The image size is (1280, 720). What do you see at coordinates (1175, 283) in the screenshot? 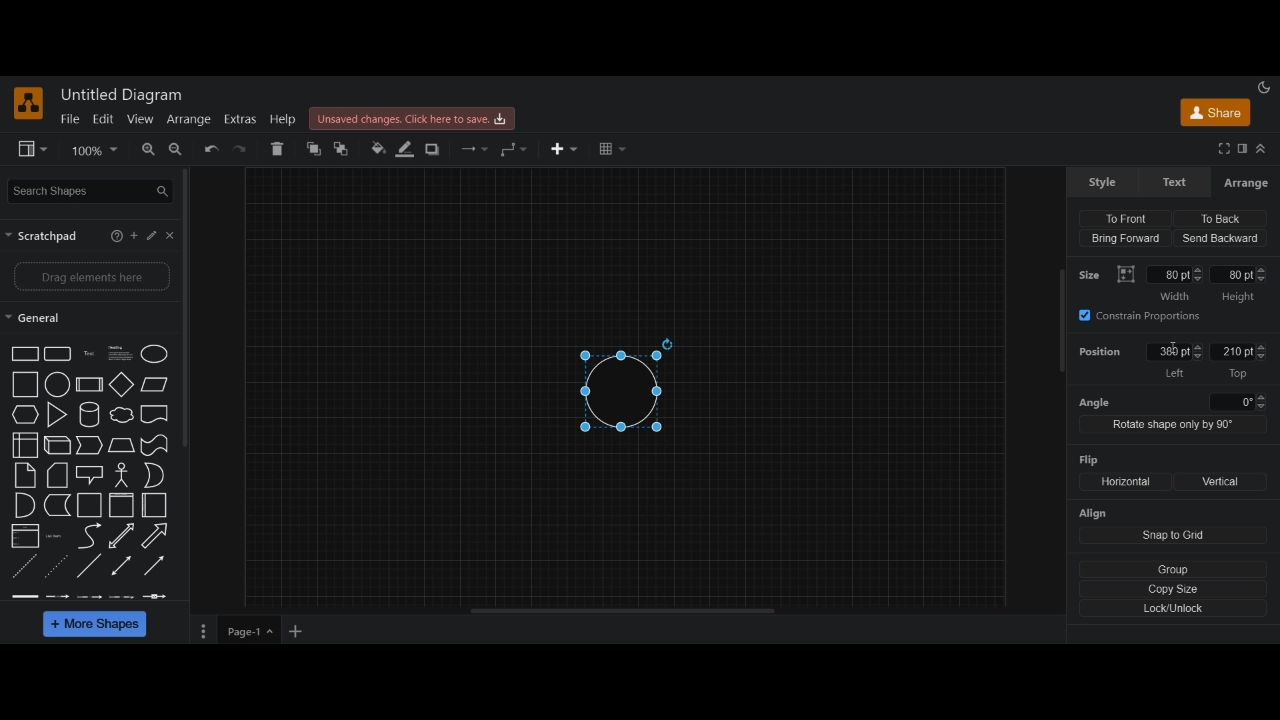
I see `width` at bounding box center [1175, 283].